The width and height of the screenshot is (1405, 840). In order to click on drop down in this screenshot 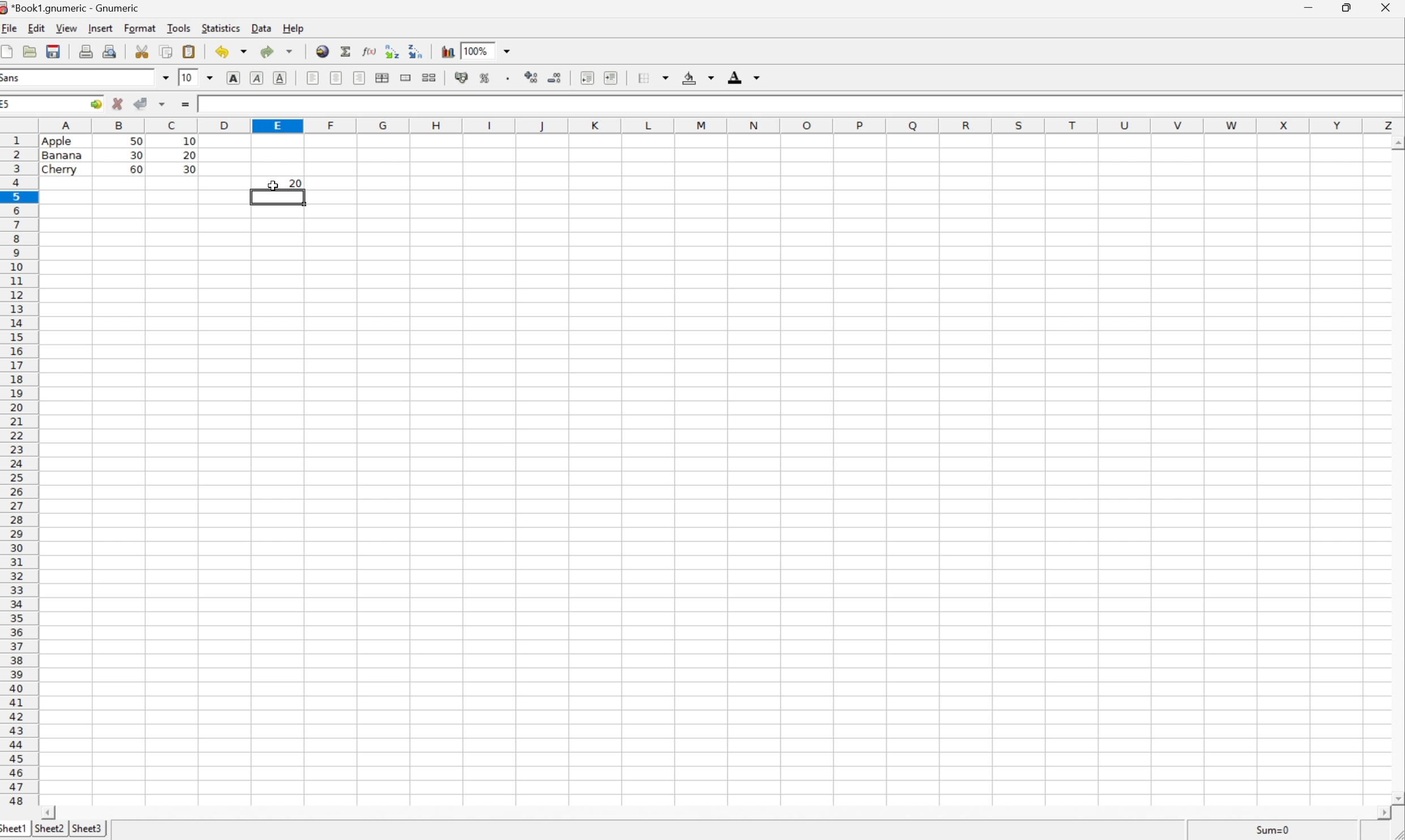, I will do `click(165, 76)`.